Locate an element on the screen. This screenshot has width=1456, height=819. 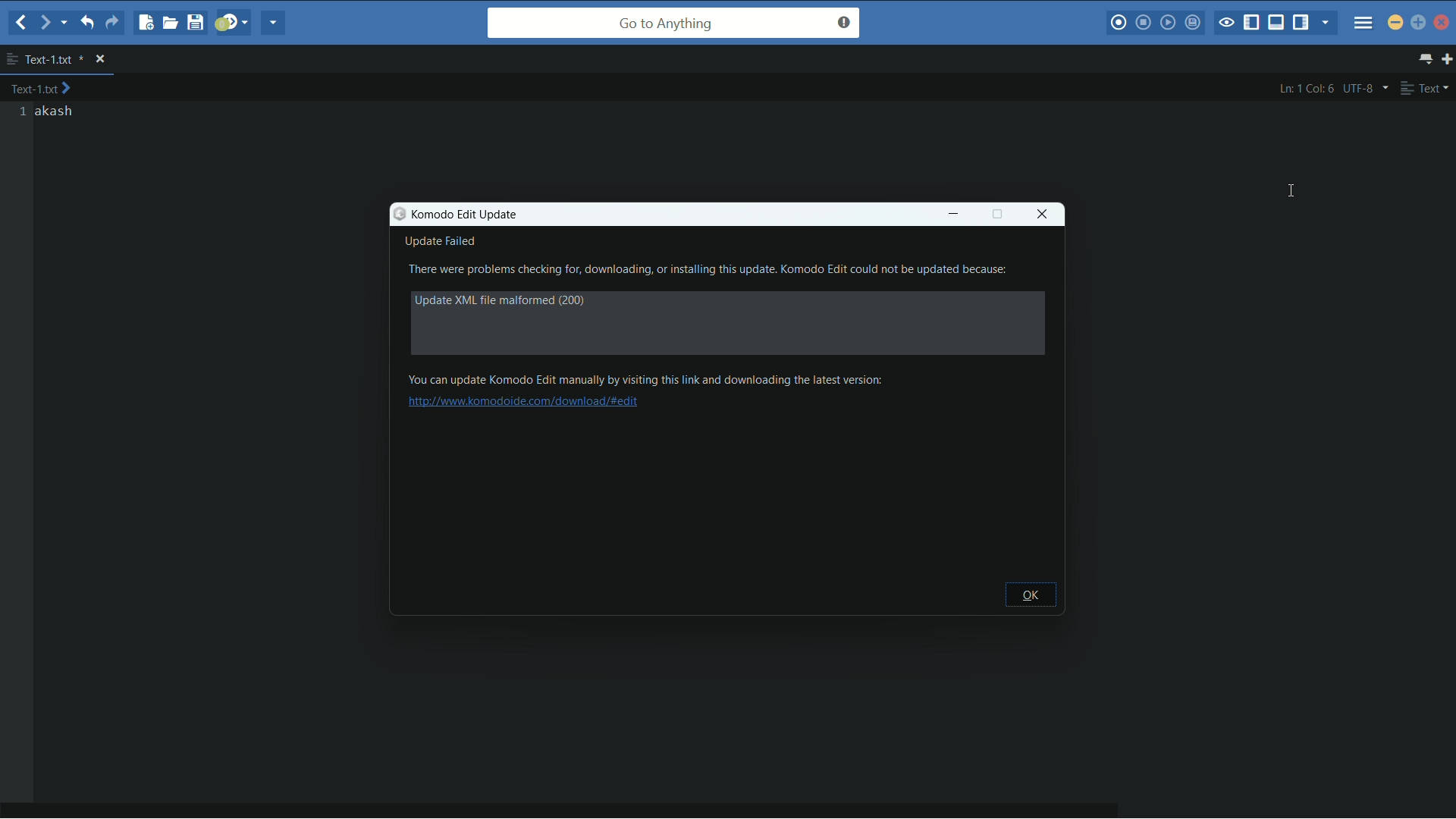
full screen is located at coordinates (996, 214).